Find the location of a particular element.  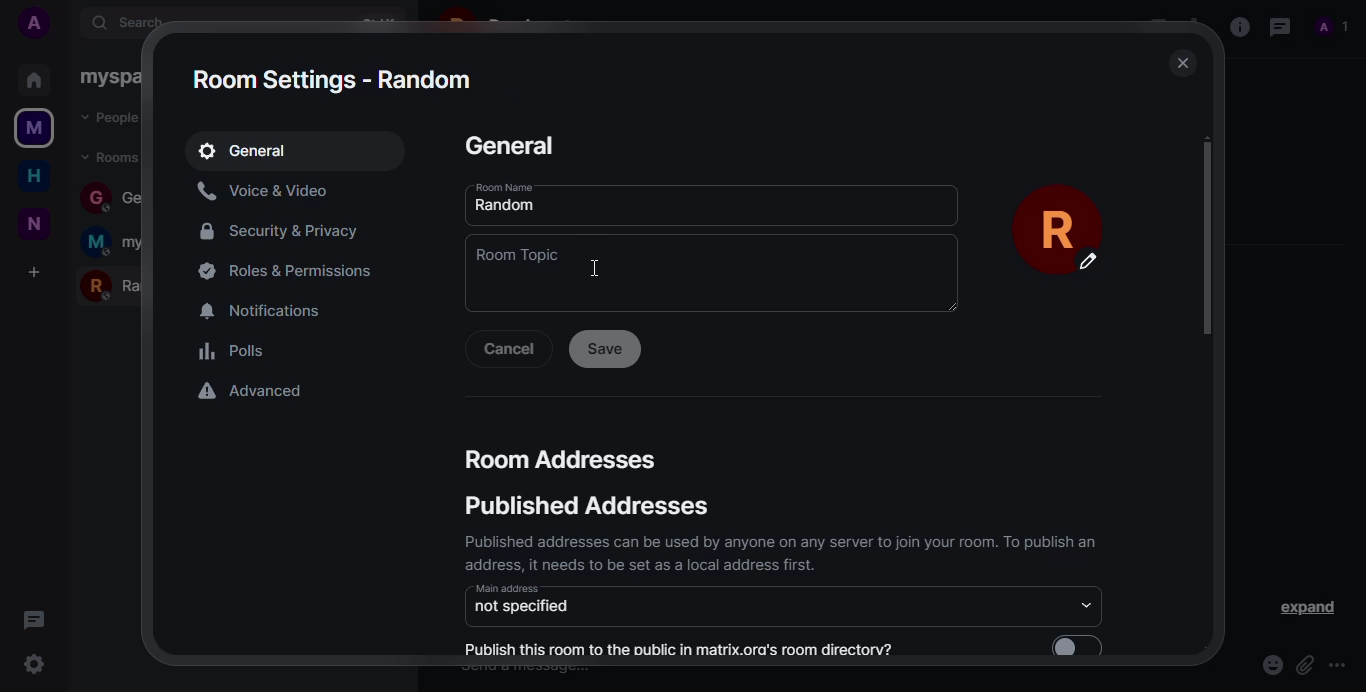

home is located at coordinates (31, 78).